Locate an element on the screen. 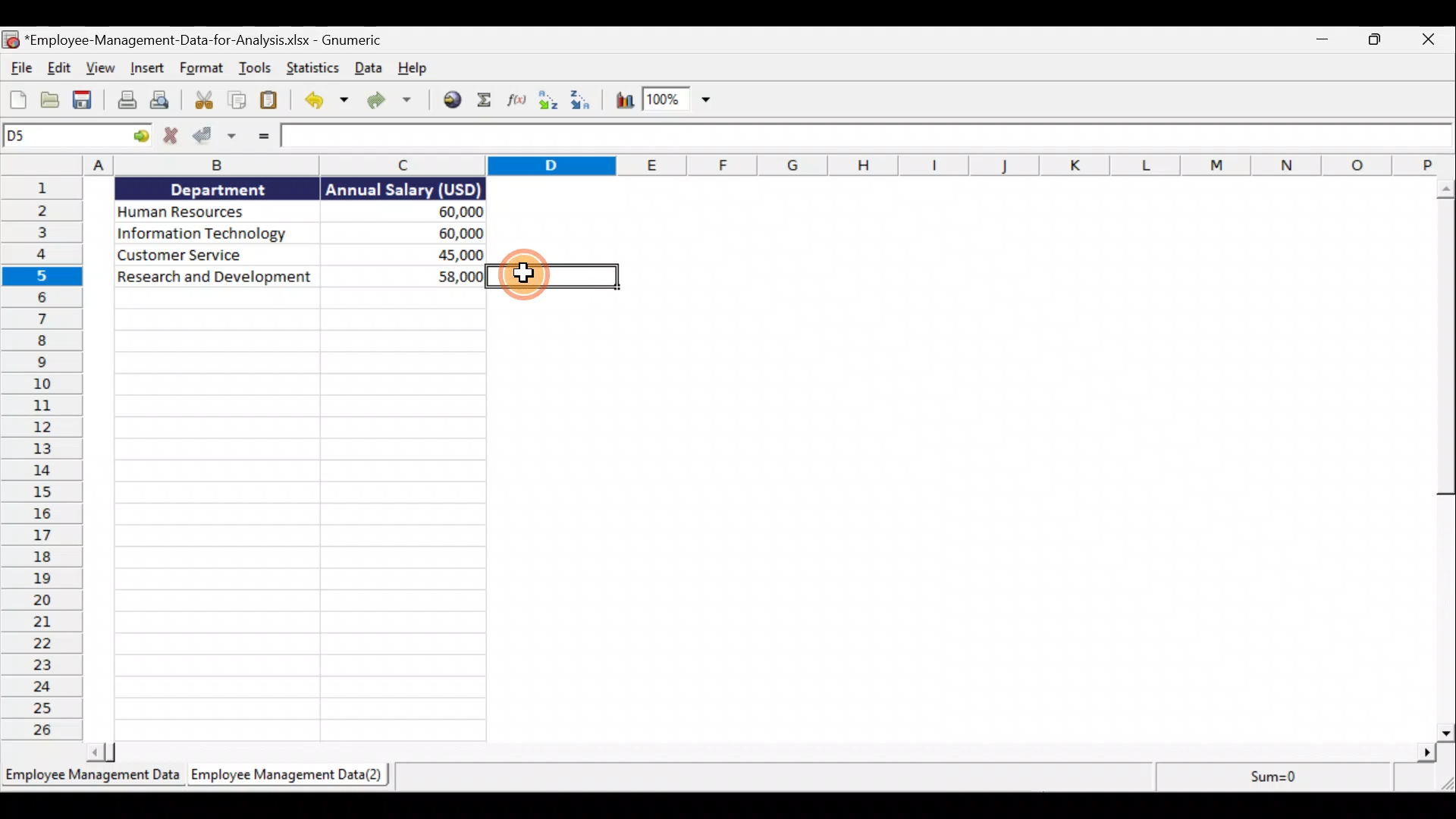 Image resolution: width=1456 pixels, height=819 pixels. Help is located at coordinates (412, 69).